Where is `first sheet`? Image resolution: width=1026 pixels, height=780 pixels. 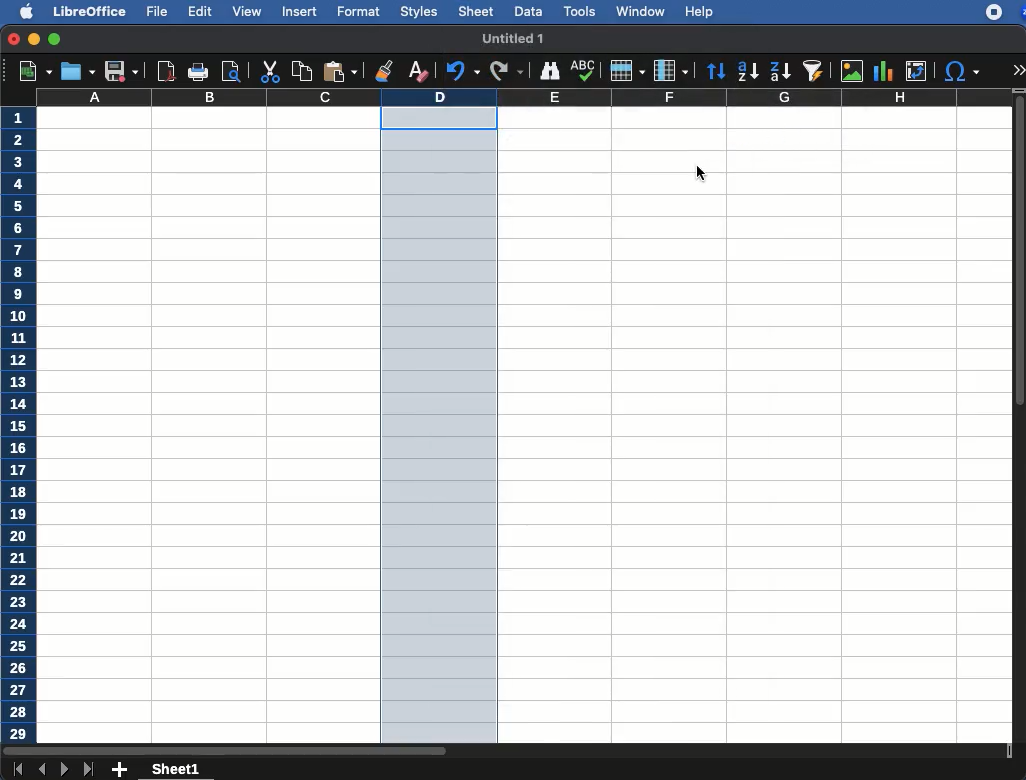 first sheet is located at coordinates (17, 770).